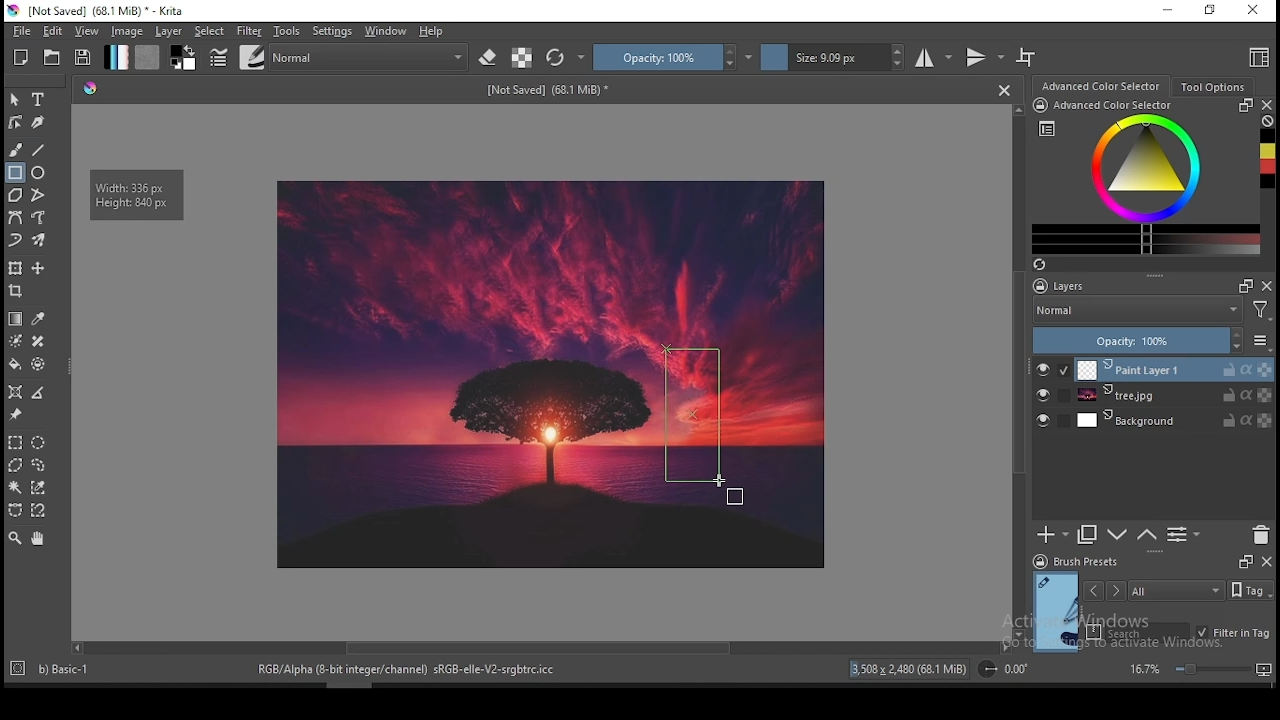  I want to click on brush tool, so click(16, 150).